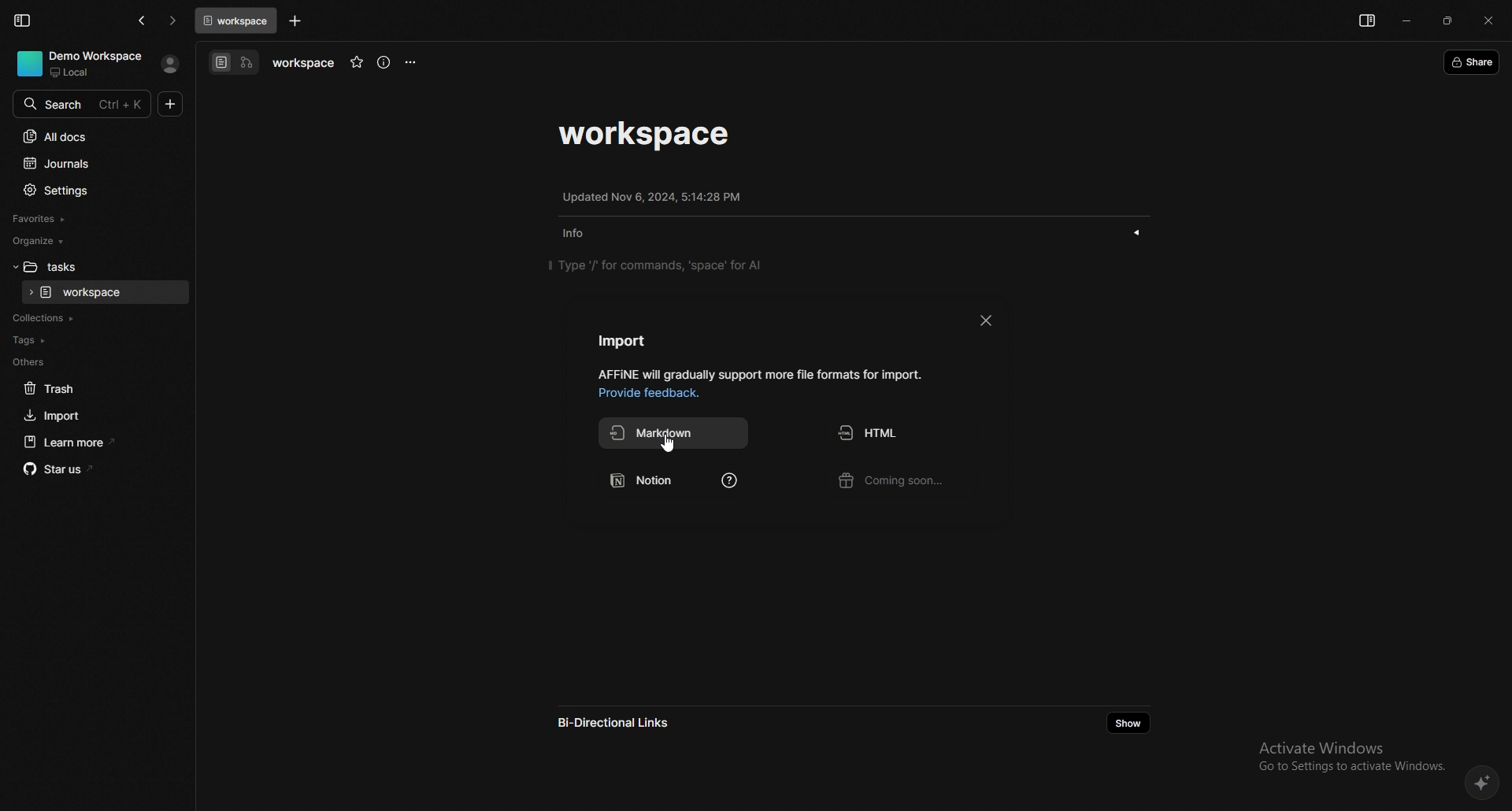  Describe the element at coordinates (173, 21) in the screenshot. I see `go forward` at that location.